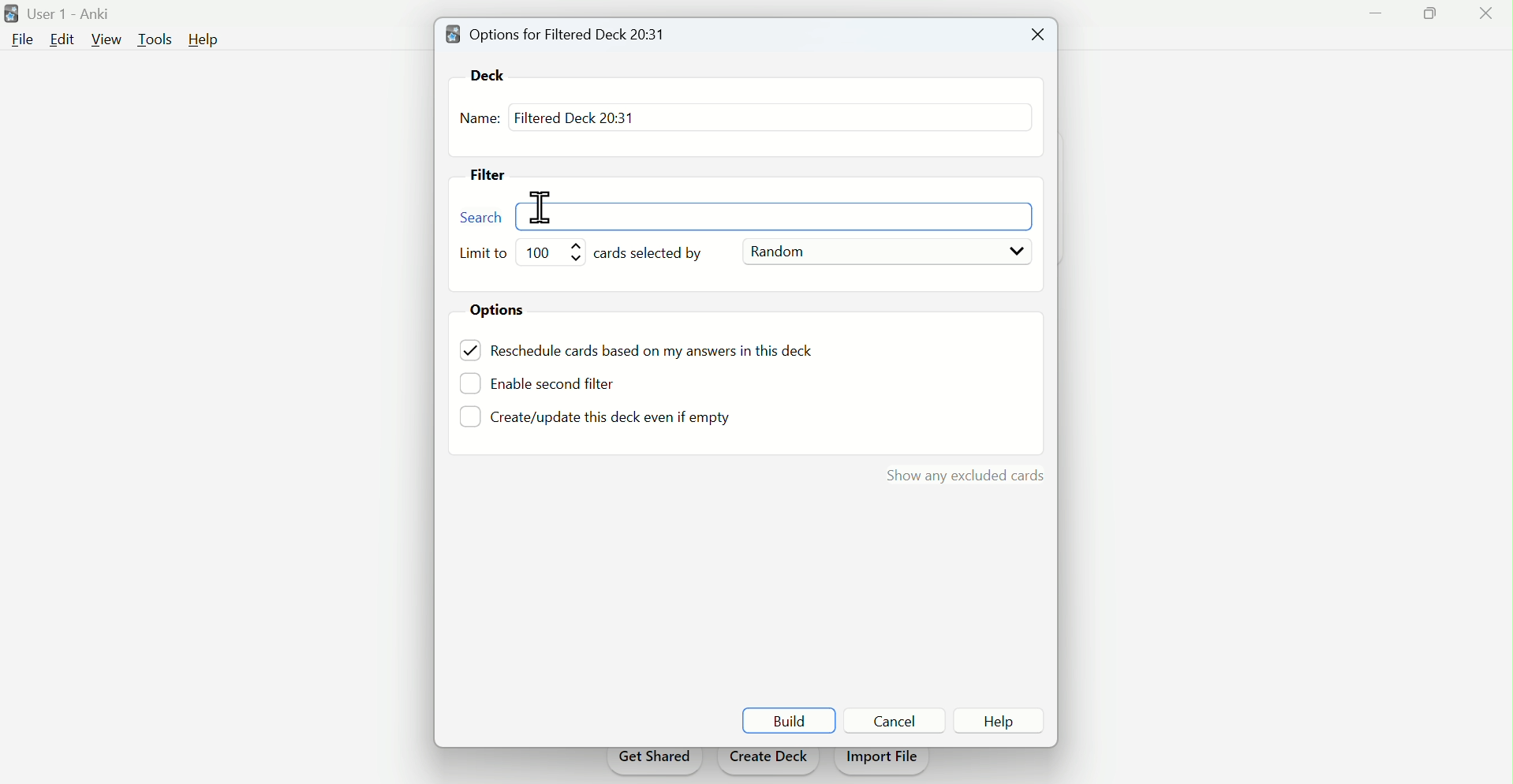 This screenshot has width=1513, height=784. I want to click on reschedule cards based on my answers in this tech, so click(663, 353).